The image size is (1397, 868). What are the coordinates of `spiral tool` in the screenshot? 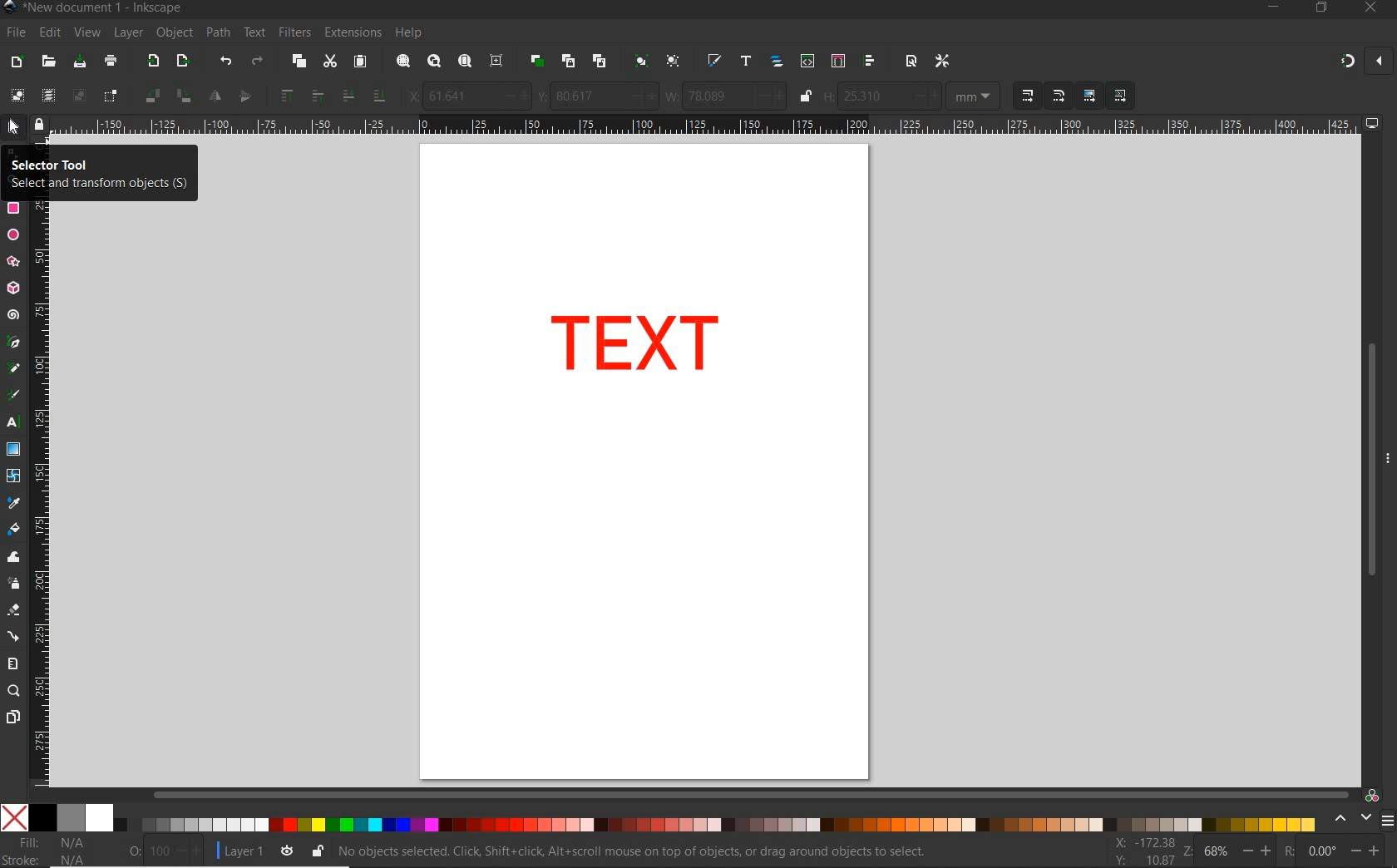 It's located at (13, 317).